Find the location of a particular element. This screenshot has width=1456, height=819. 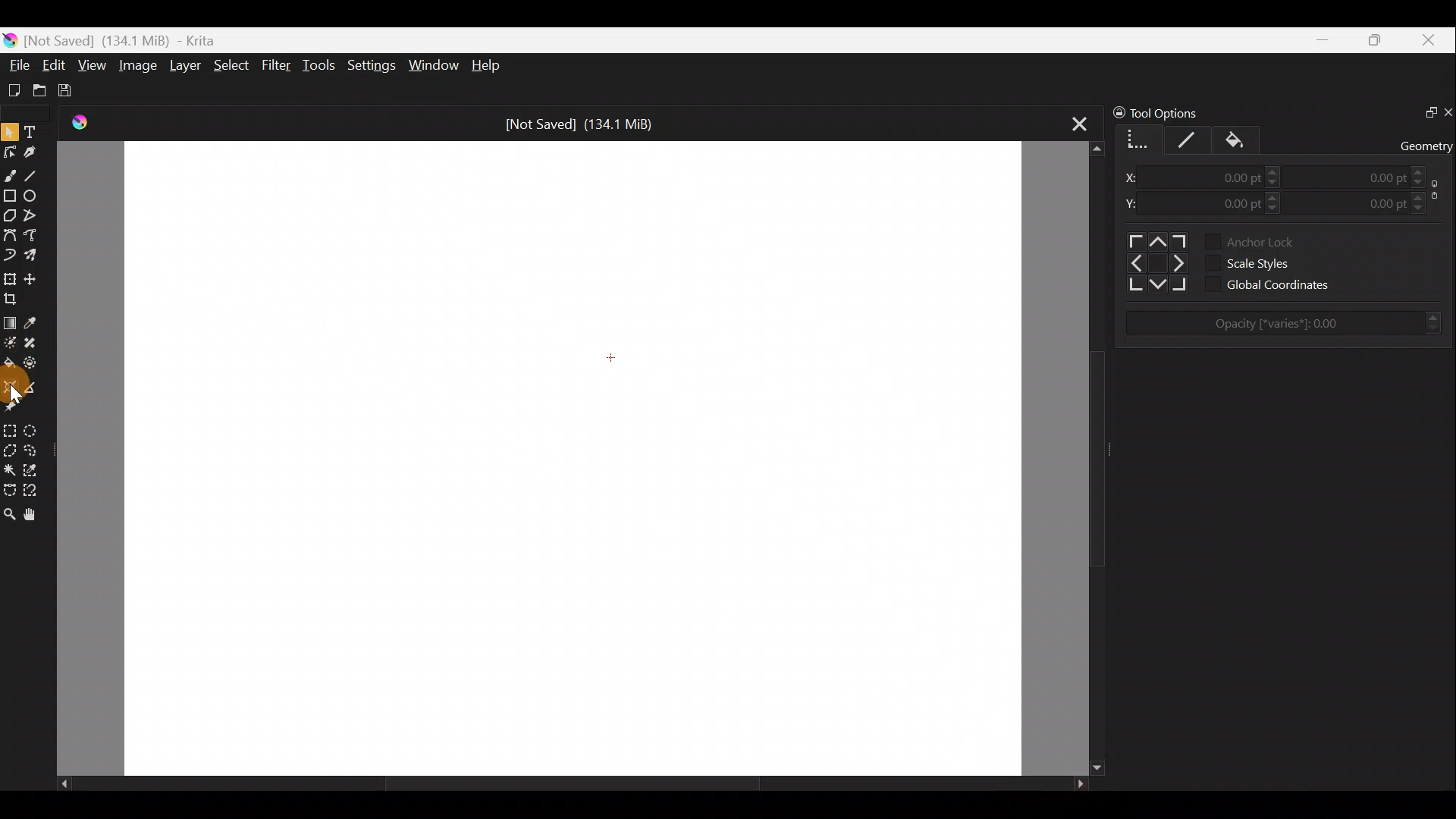

View is located at coordinates (93, 66).